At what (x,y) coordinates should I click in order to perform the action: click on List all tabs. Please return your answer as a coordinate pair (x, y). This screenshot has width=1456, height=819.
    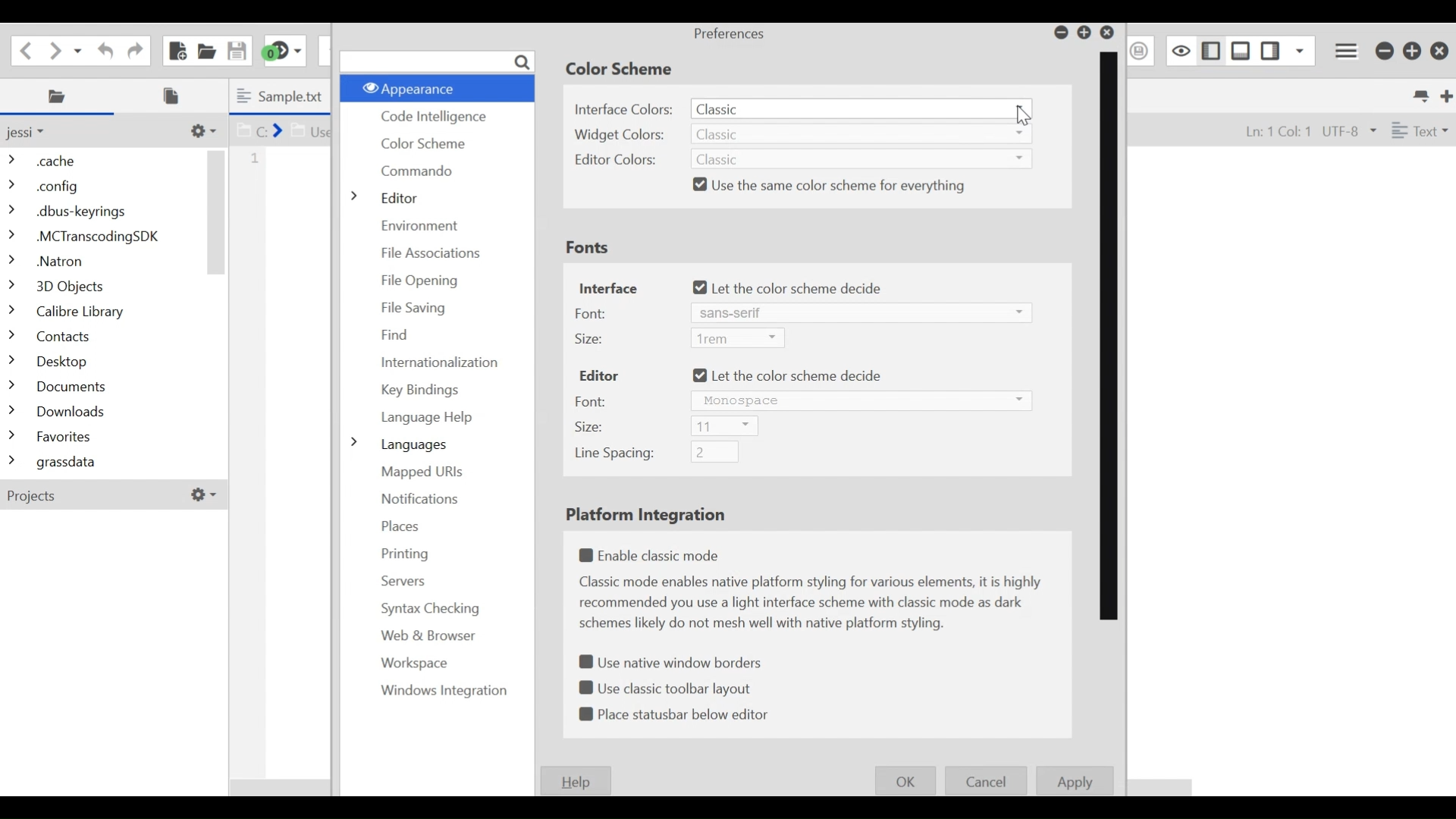
    Looking at the image, I should click on (1419, 94).